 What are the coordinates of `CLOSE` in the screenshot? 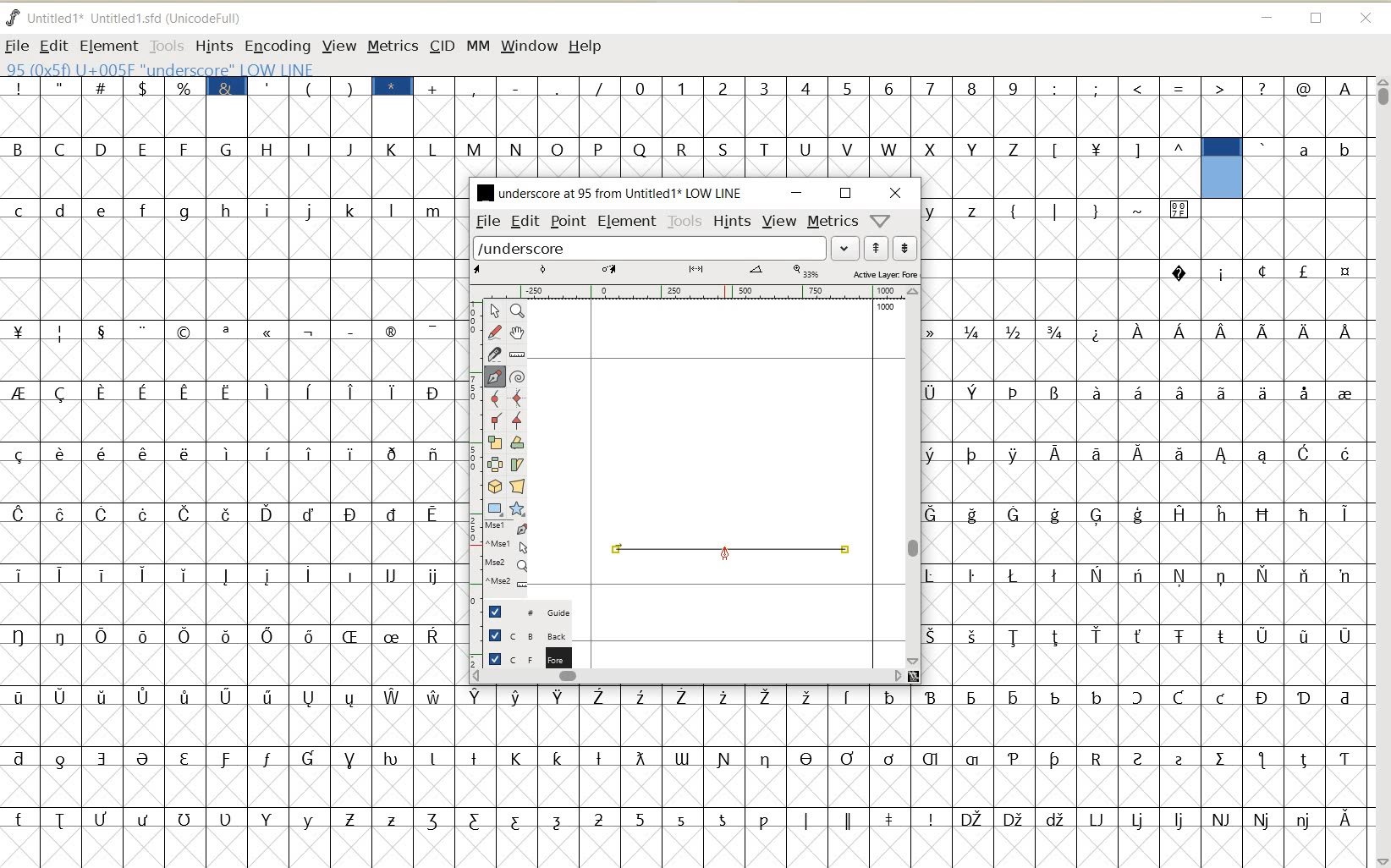 It's located at (1367, 19).